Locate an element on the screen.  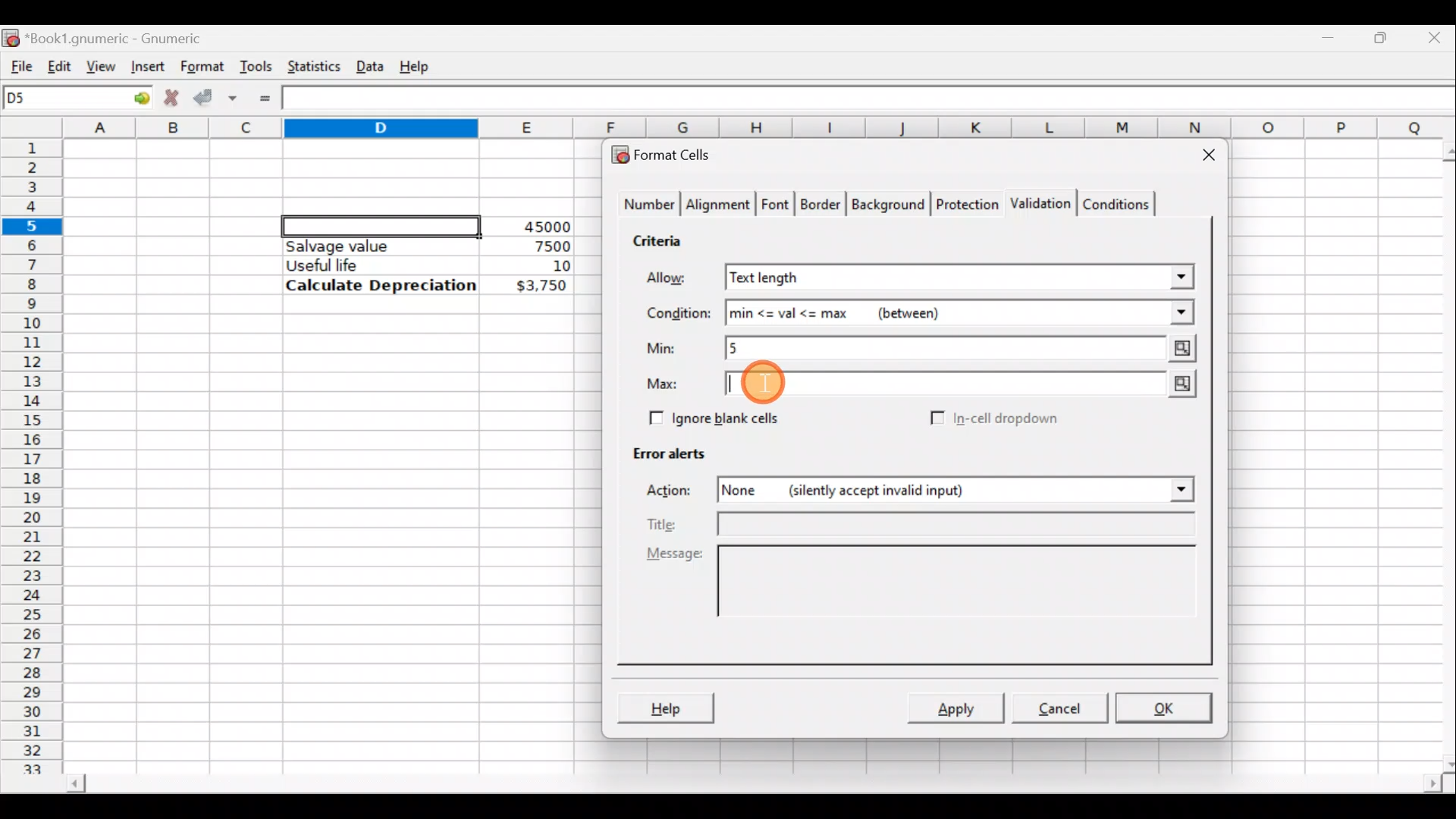
Minimize is located at coordinates (1332, 34).